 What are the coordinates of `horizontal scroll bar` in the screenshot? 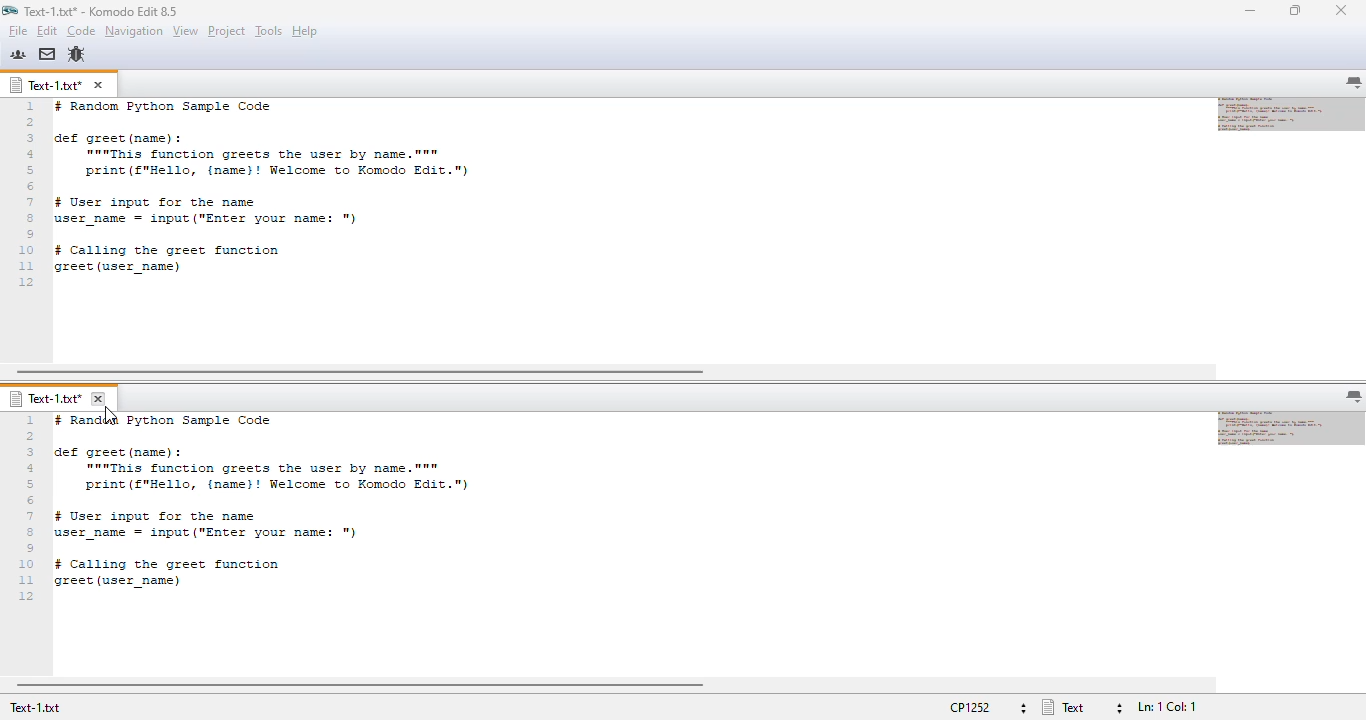 It's located at (359, 372).